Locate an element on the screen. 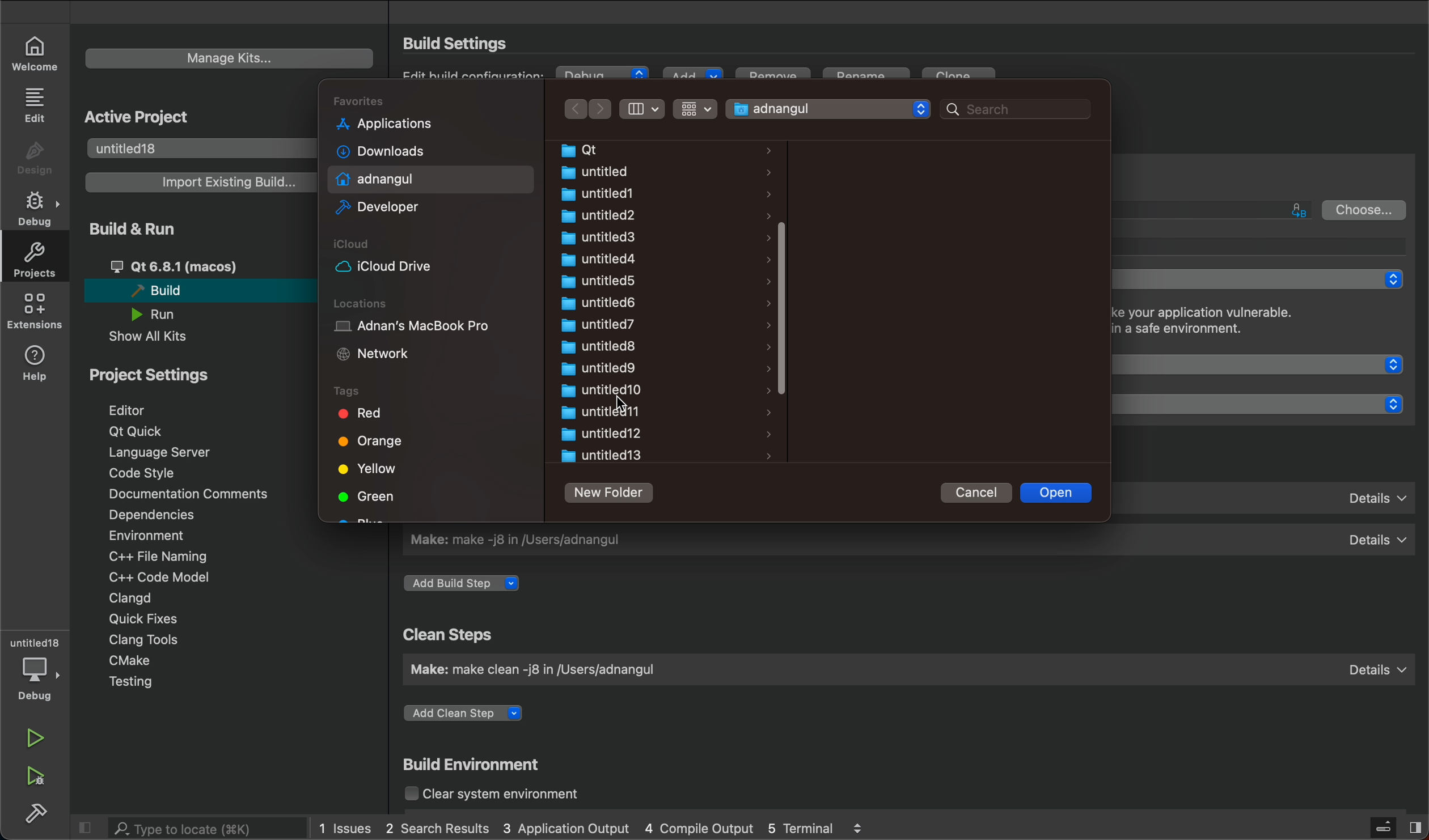  run is located at coordinates (35, 738).